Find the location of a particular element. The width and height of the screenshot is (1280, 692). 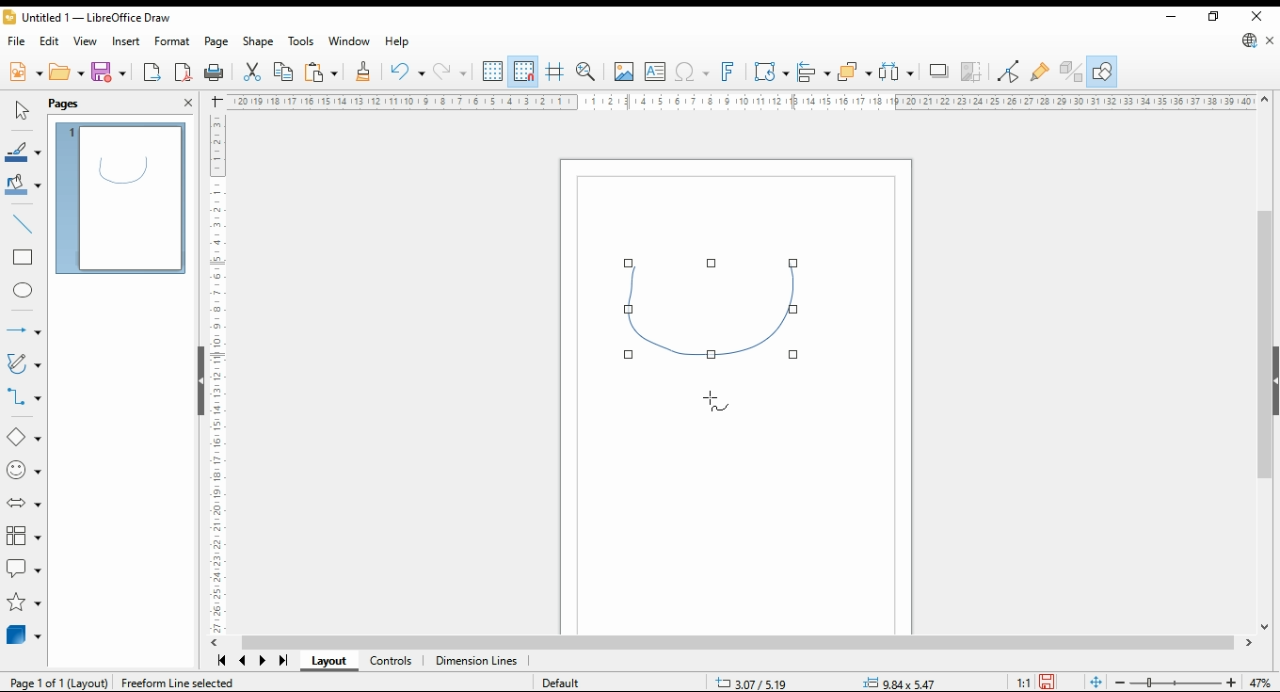

ruler is located at coordinates (214, 373).